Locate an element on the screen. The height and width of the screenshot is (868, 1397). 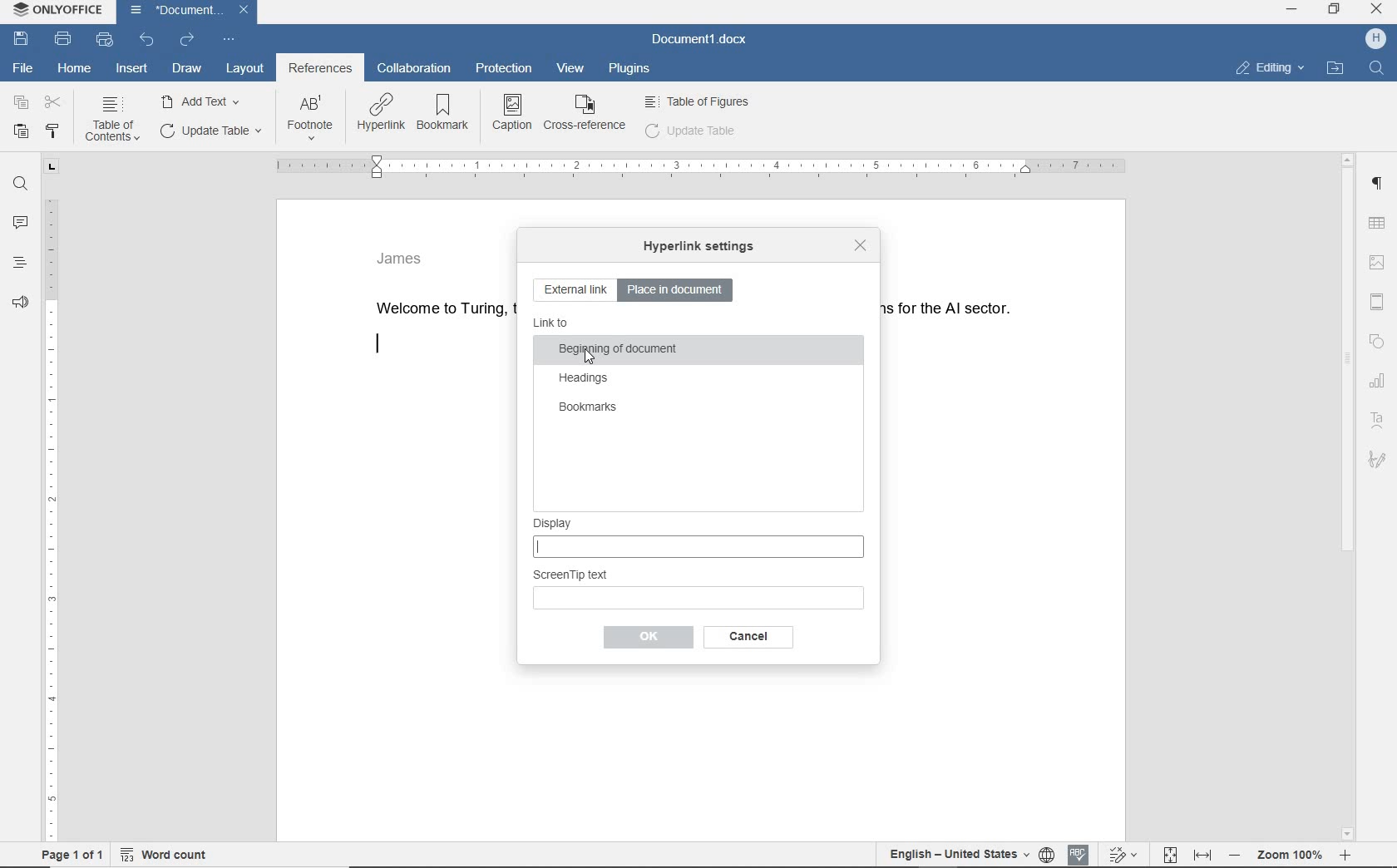
James is located at coordinates (401, 257).